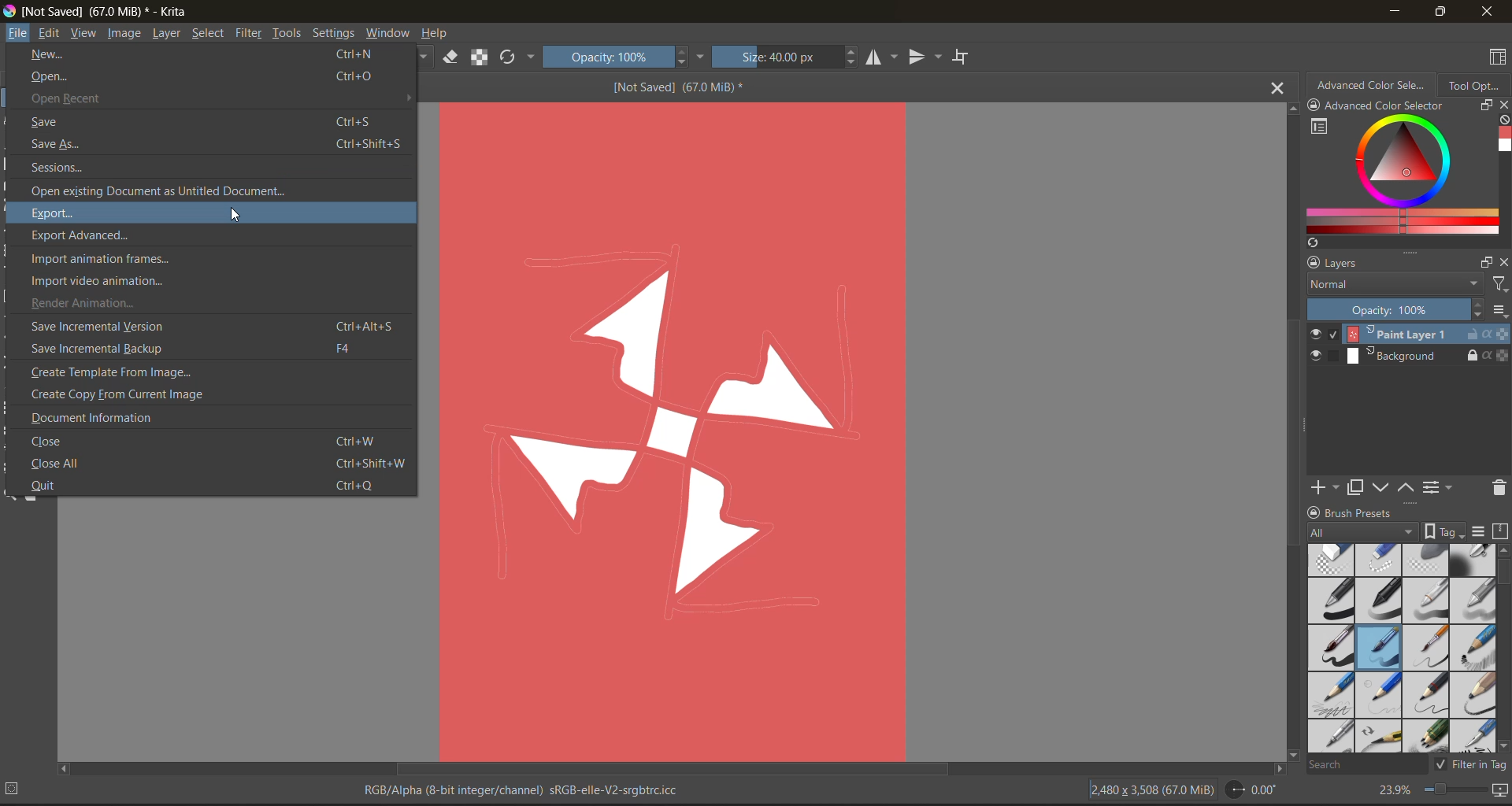 This screenshot has height=806, width=1512. Describe the element at coordinates (1503, 574) in the screenshot. I see `horizontal scroll bar` at that location.